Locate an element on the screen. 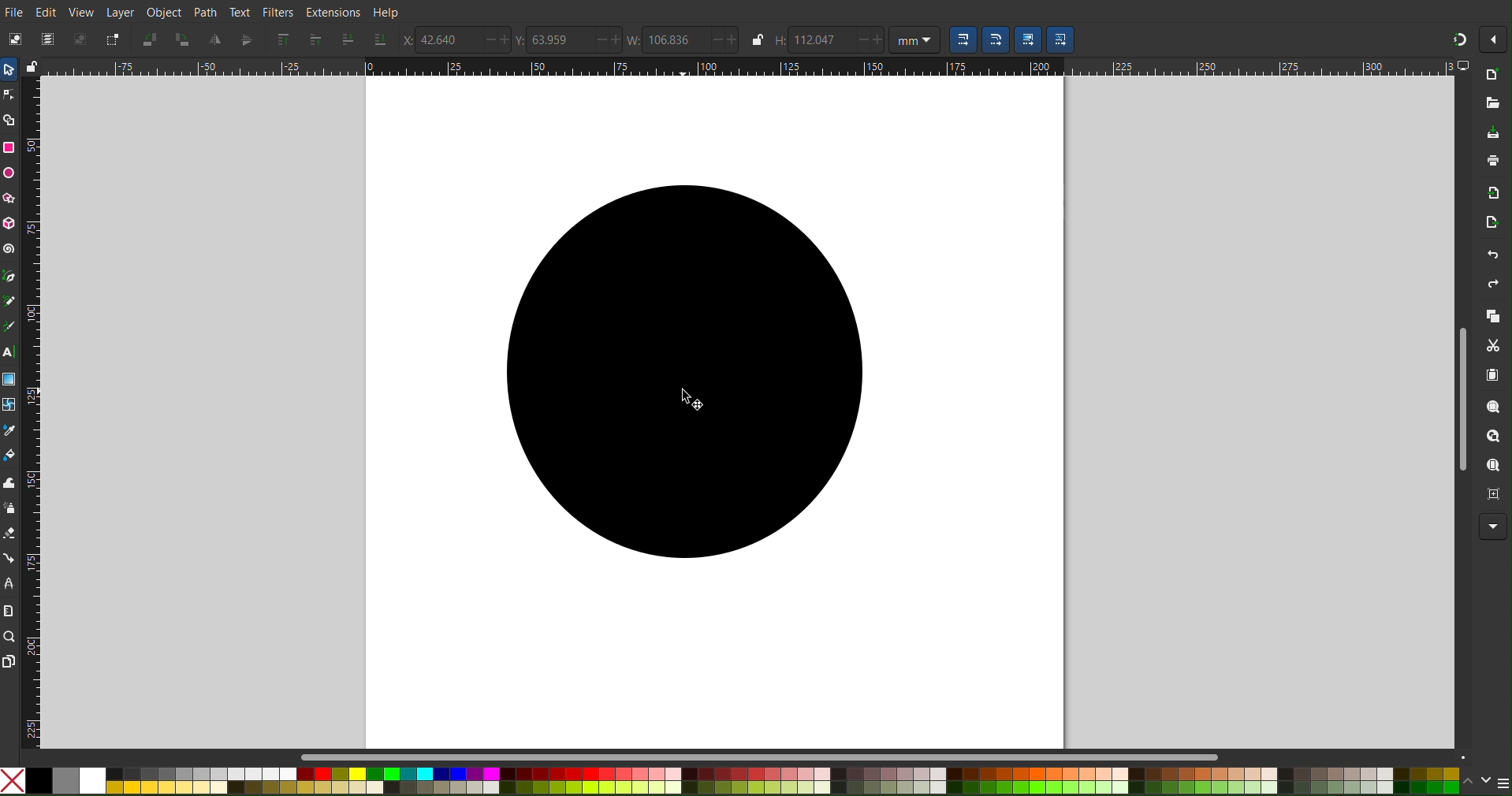  Shape Builder Tool is located at coordinates (9, 118).